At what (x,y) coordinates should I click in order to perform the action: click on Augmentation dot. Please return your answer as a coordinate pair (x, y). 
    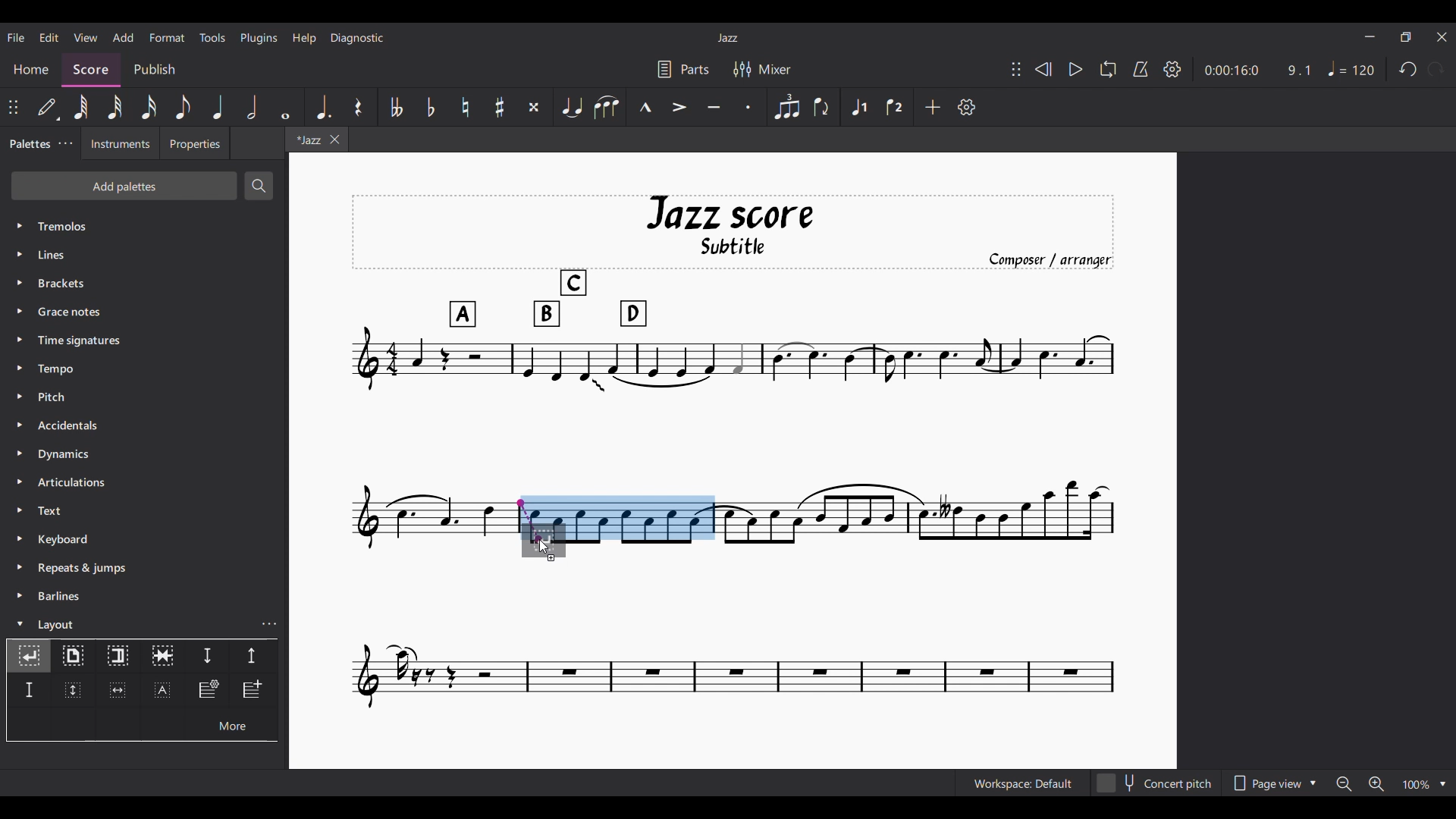
    Looking at the image, I should click on (323, 107).